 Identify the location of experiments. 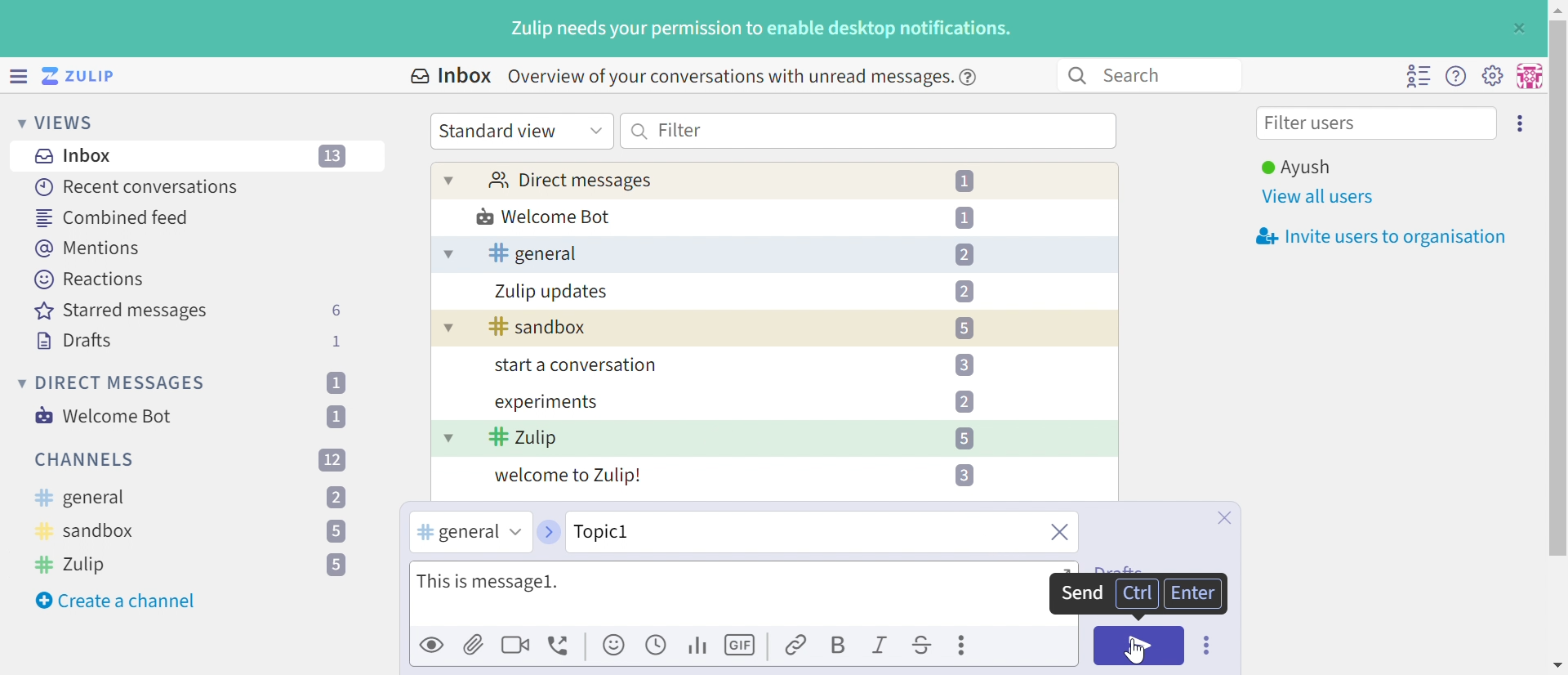
(545, 403).